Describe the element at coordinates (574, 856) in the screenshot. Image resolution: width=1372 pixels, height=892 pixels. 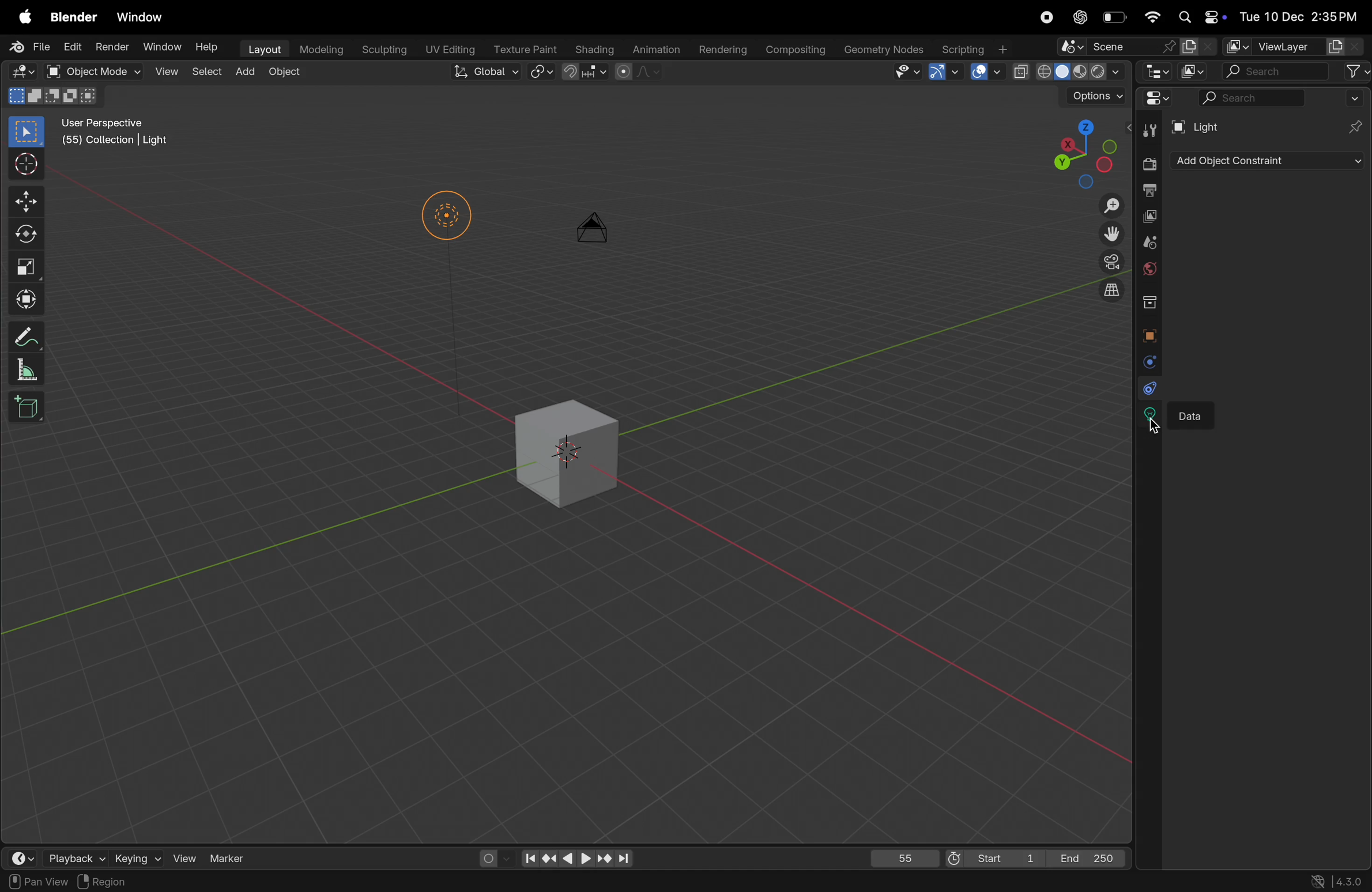
I see `playback contorls` at that location.